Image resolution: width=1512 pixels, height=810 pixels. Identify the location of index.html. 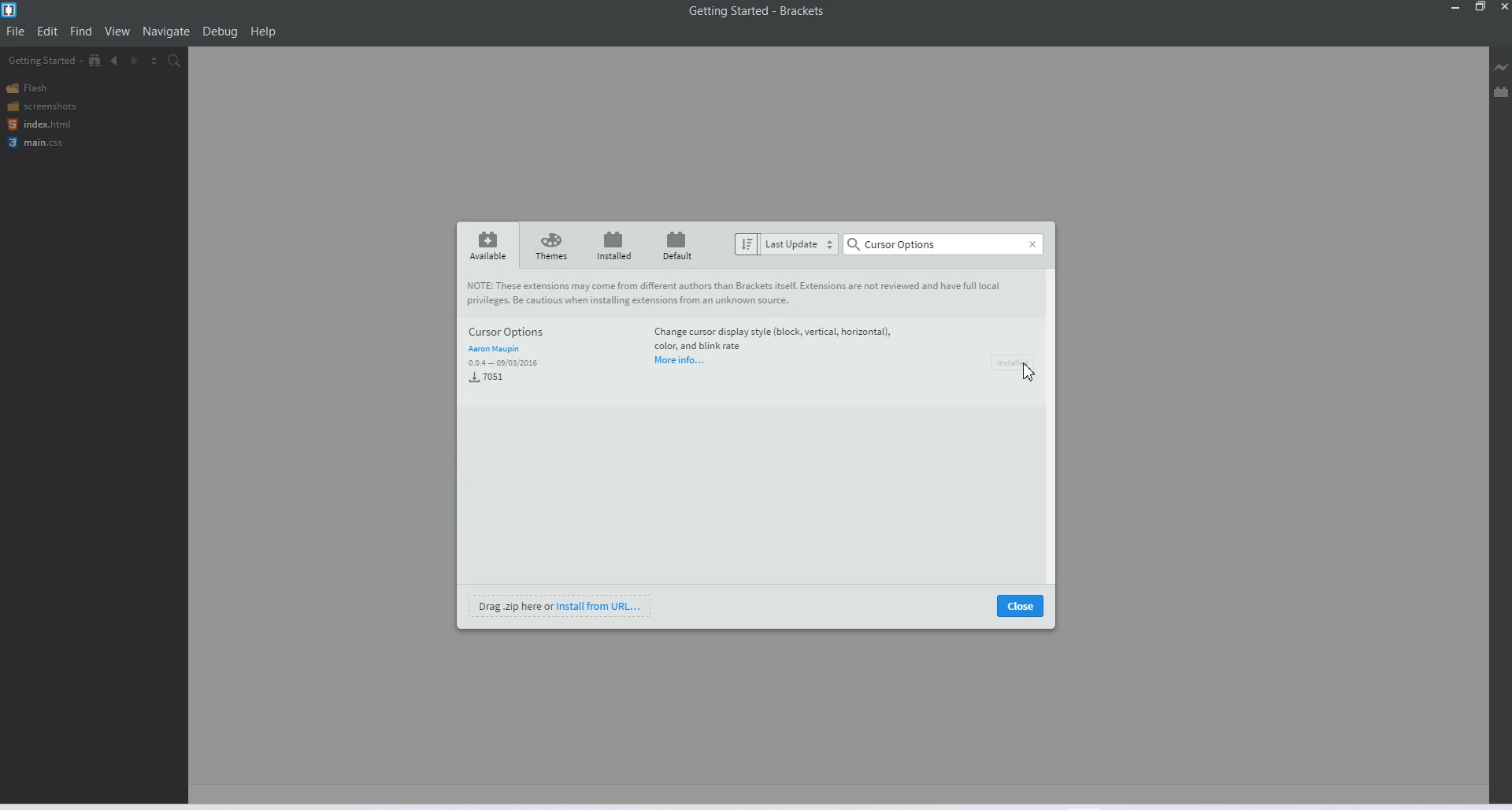
(39, 124).